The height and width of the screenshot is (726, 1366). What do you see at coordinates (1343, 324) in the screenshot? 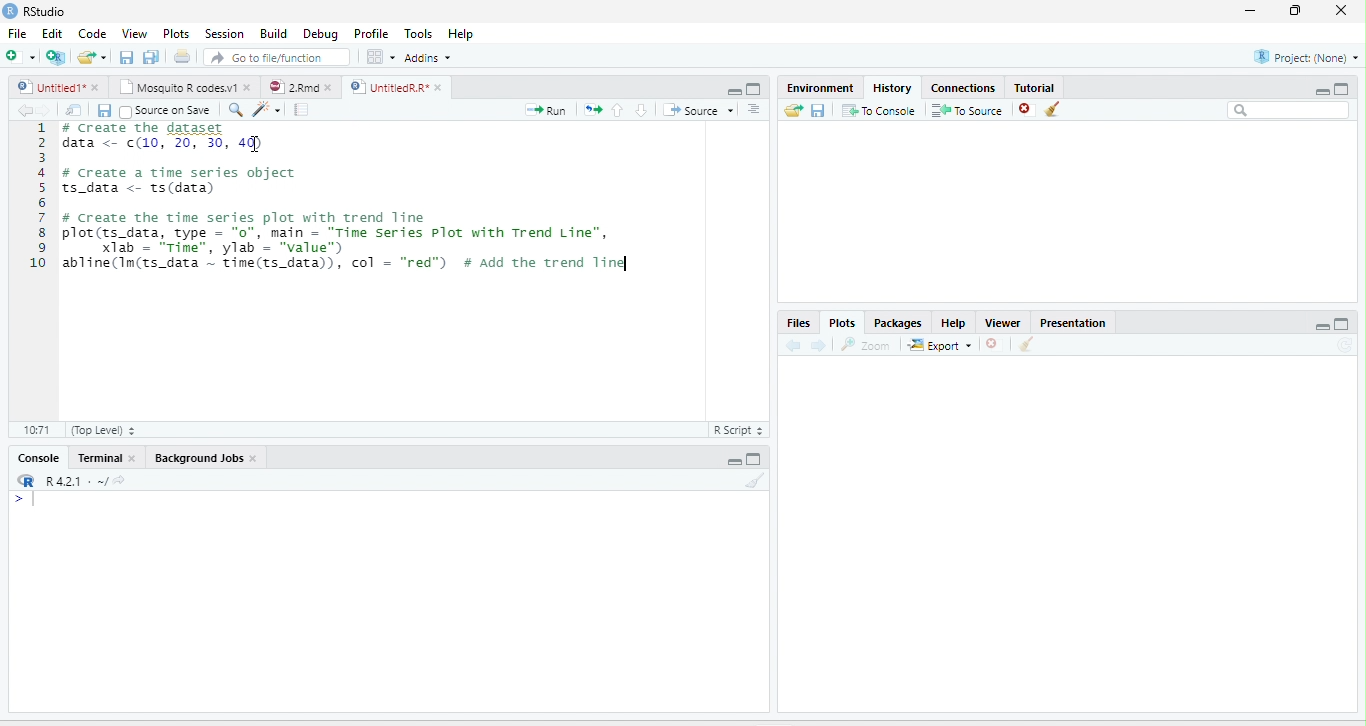
I see `Maximize` at bounding box center [1343, 324].